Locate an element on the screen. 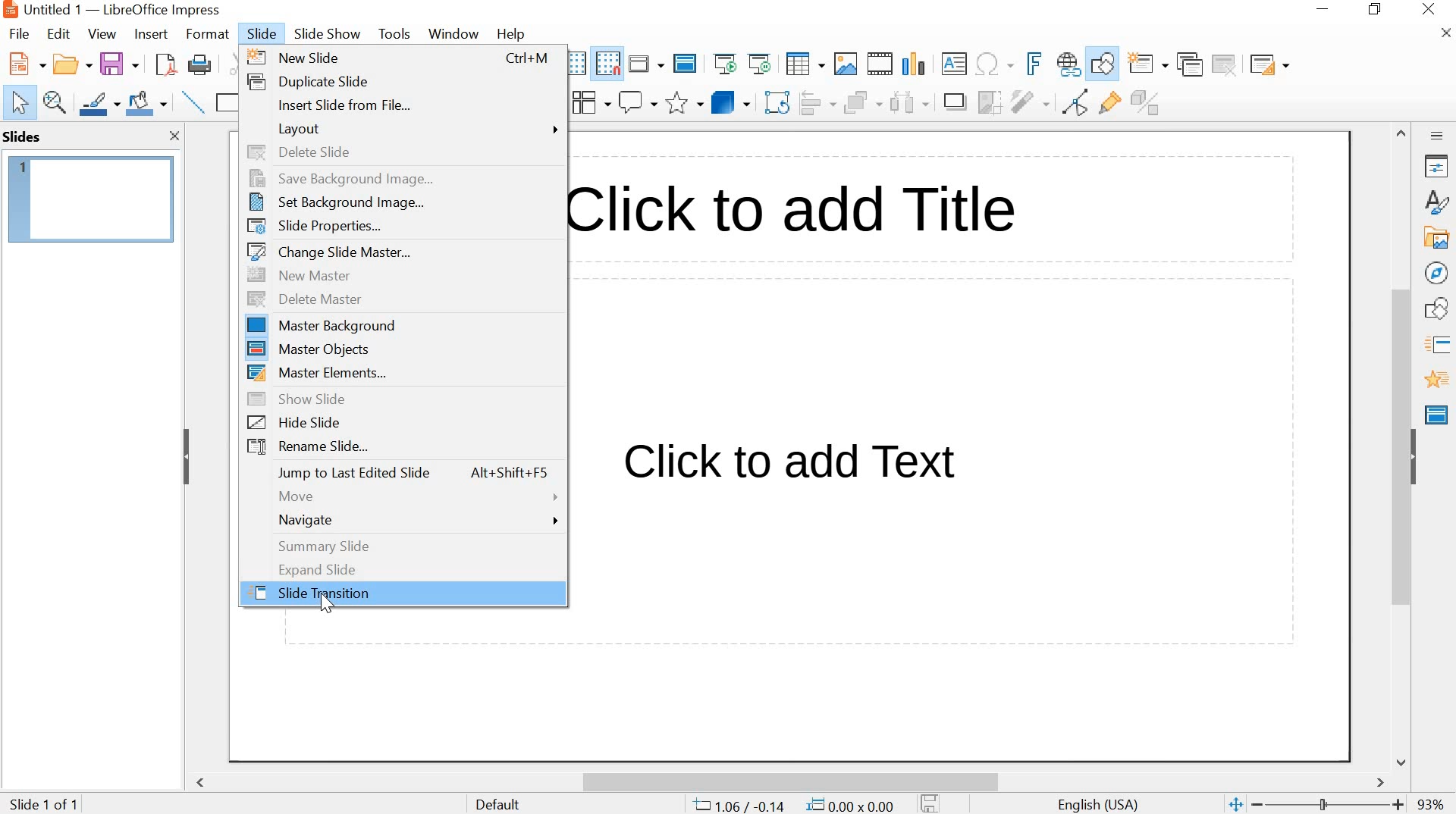  VIEW is located at coordinates (100, 33).